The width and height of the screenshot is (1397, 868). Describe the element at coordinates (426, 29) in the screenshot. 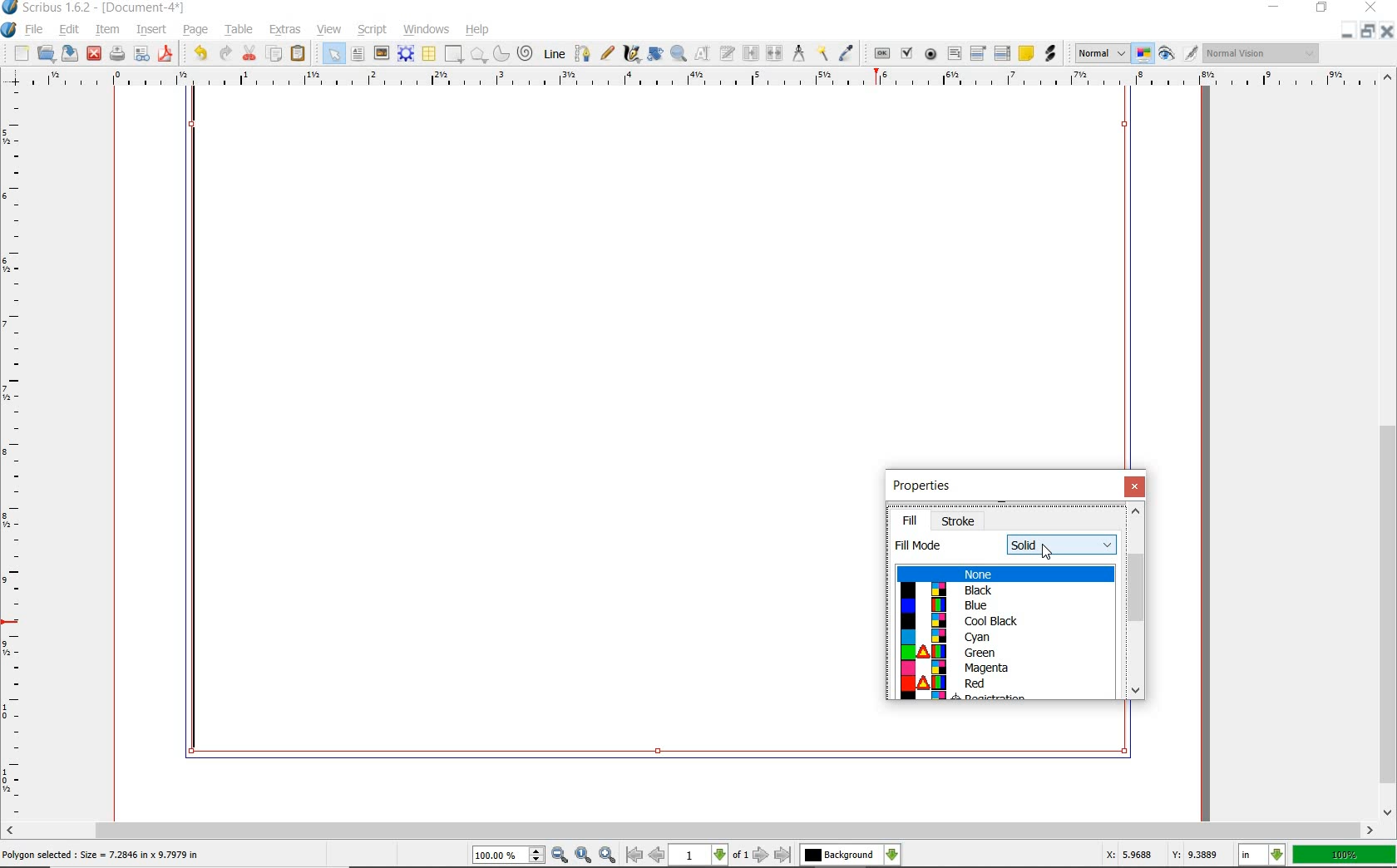

I see `windows` at that location.